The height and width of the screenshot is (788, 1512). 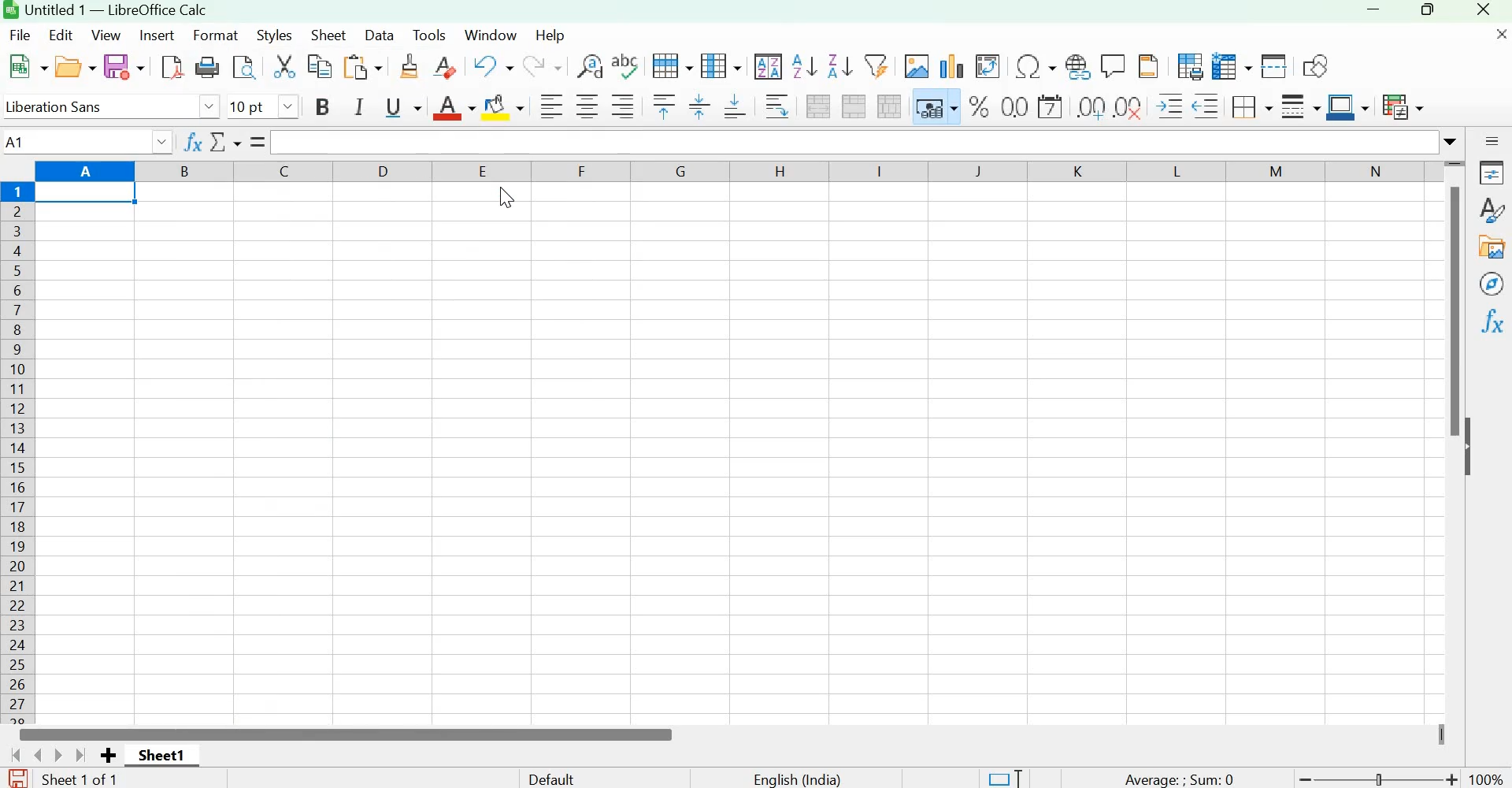 I want to click on bold, so click(x=324, y=106).